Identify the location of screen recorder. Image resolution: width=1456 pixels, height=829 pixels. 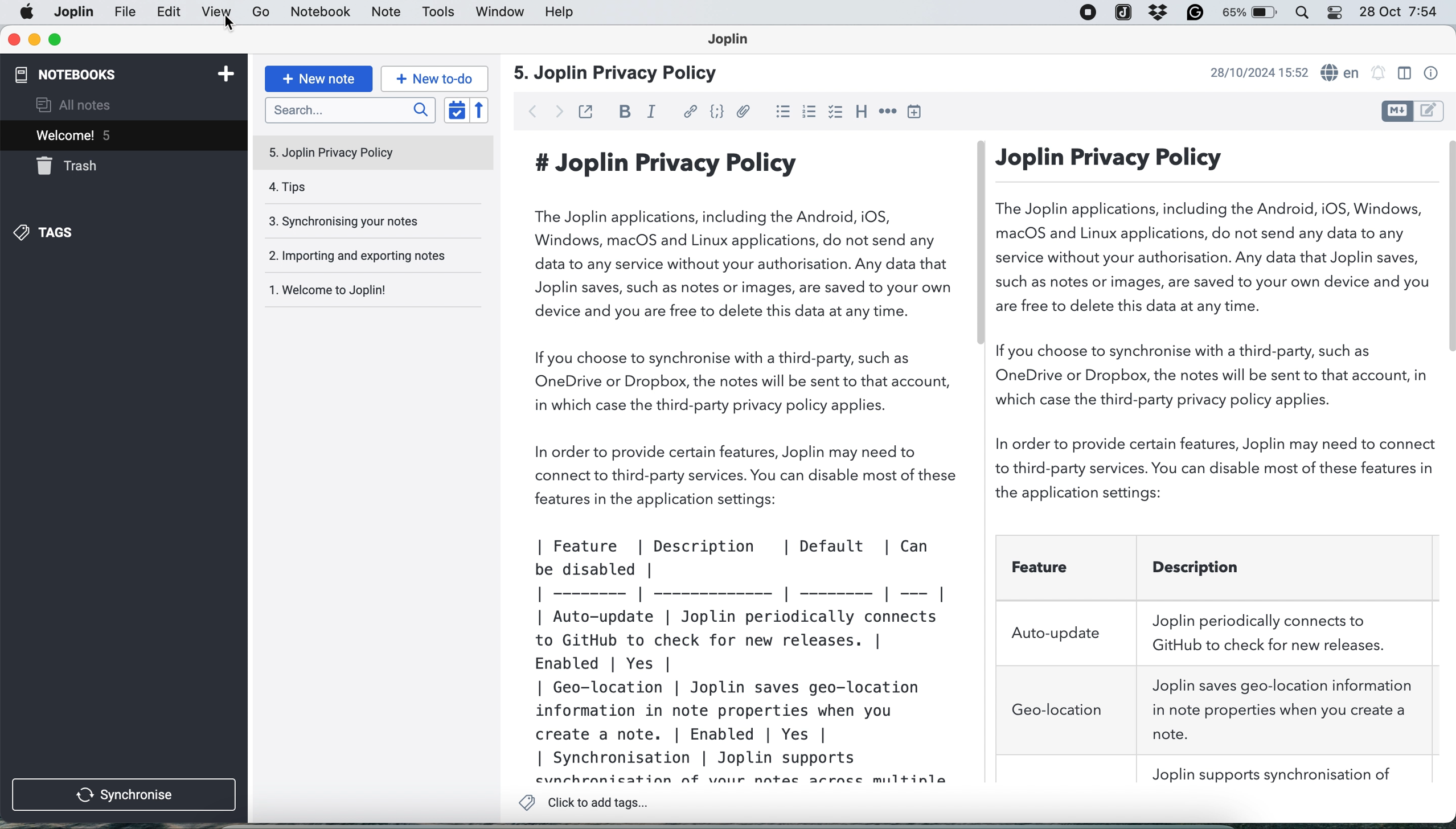
(1087, 14).